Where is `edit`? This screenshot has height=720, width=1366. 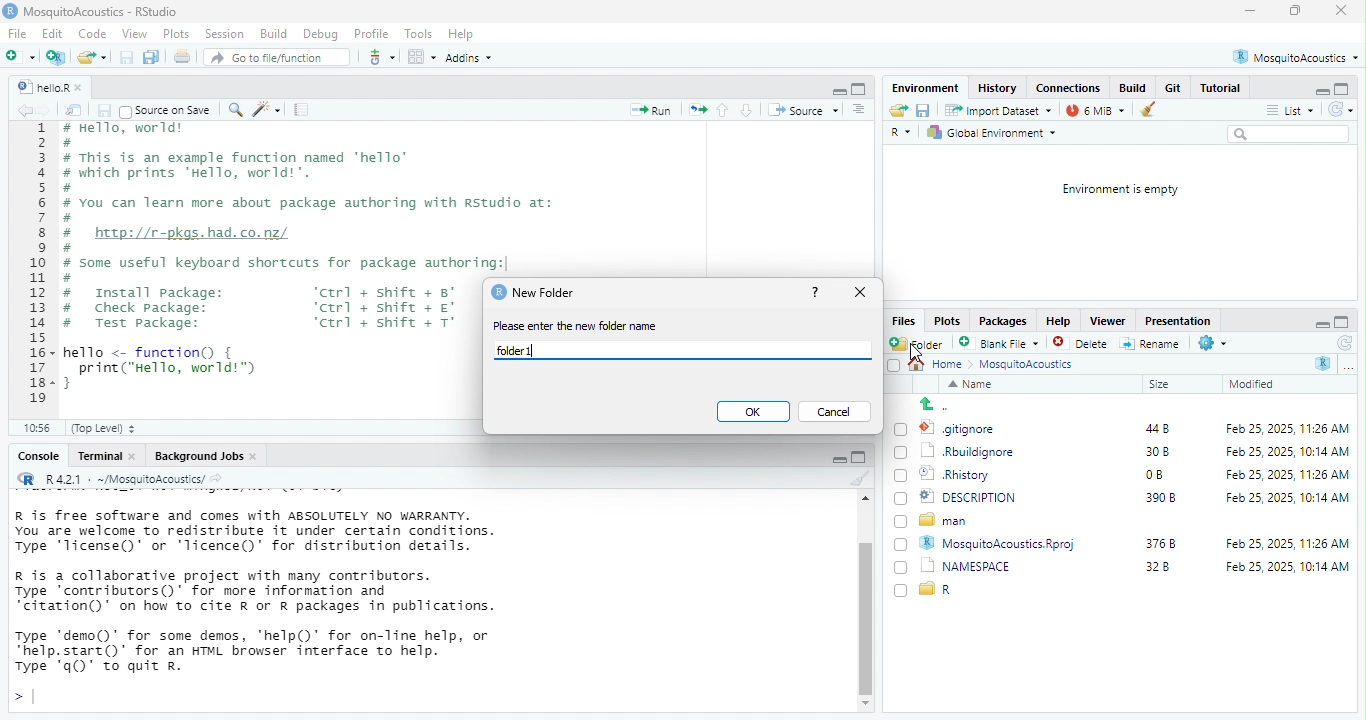
edit is located at coordinates (52, 35).